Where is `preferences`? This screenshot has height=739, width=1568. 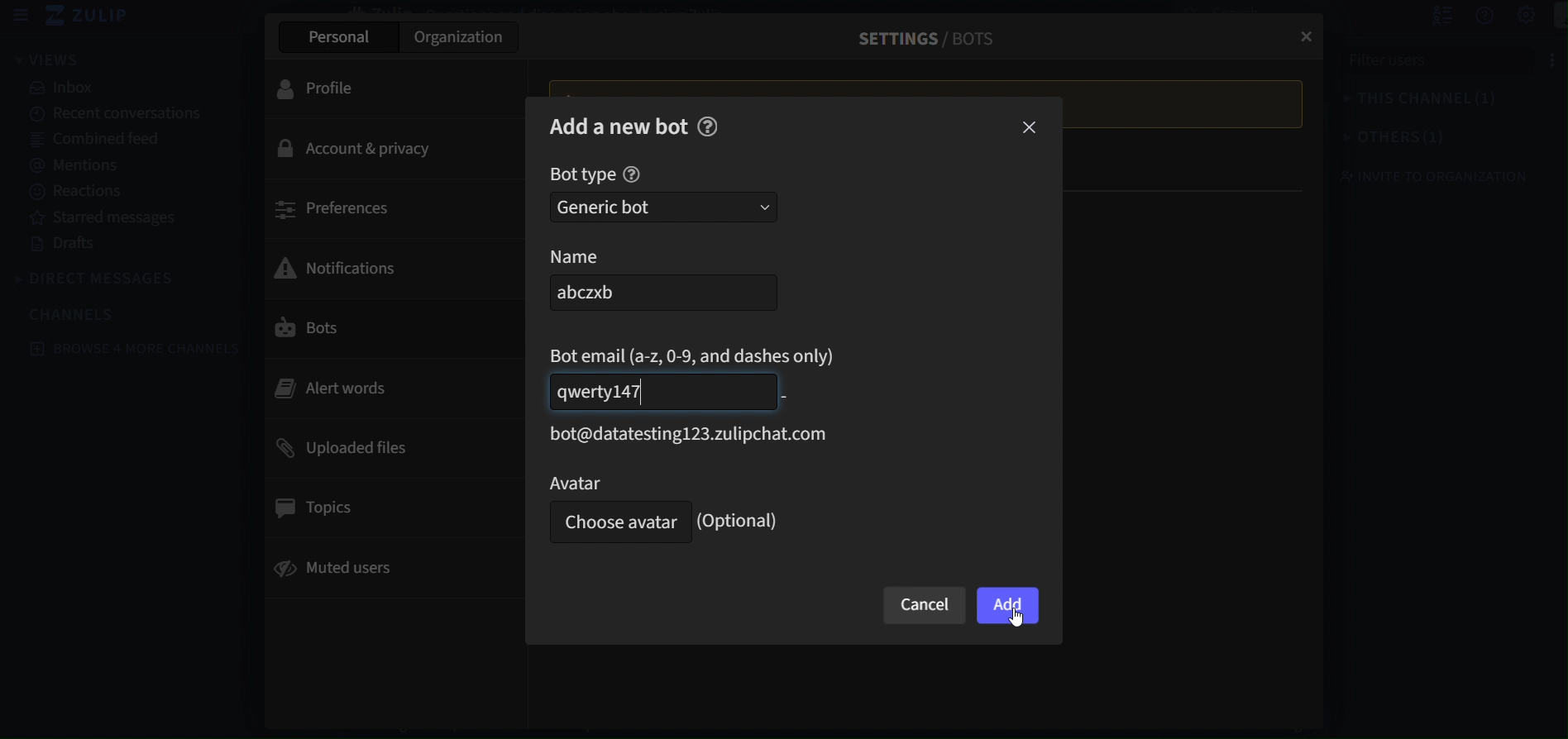
preferences is located at coordinates (391, 207).